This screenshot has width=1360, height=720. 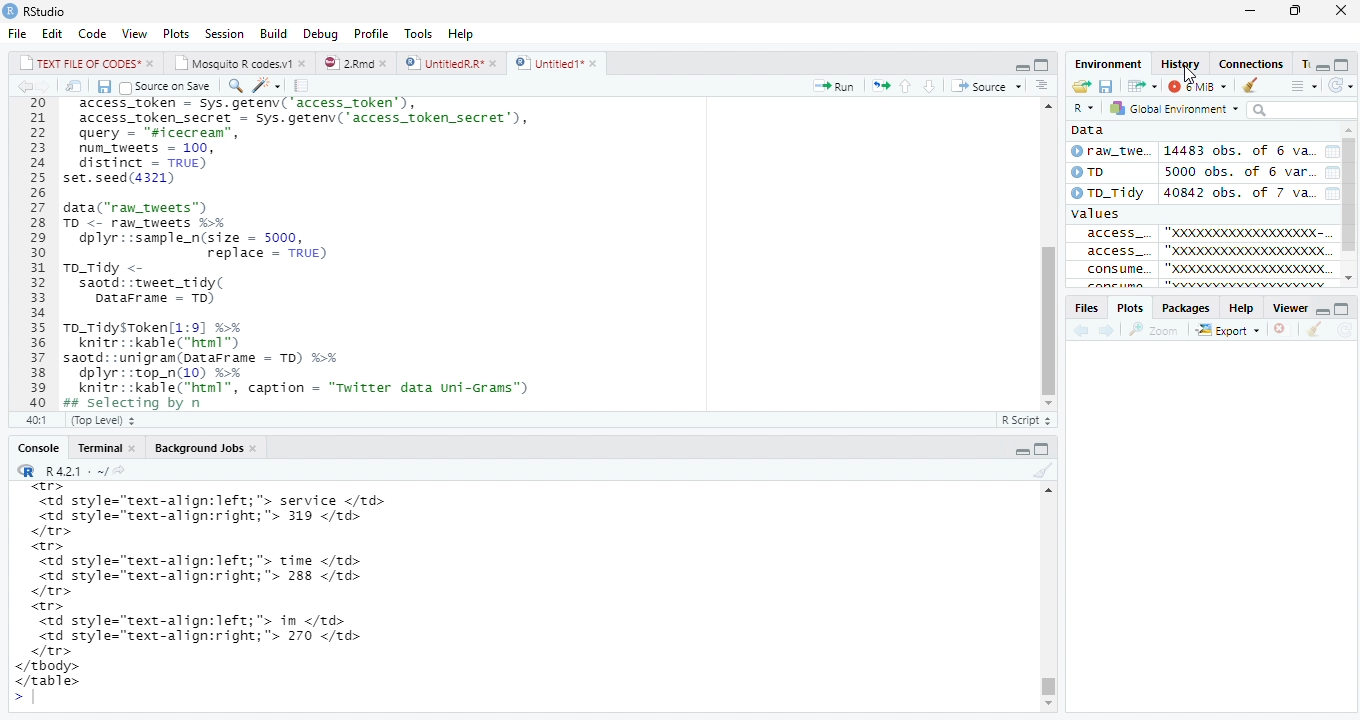 What do you see at coordinates (1263, 63) in the screenshot?
I see `Connections` at bounding box center [1263, 63].